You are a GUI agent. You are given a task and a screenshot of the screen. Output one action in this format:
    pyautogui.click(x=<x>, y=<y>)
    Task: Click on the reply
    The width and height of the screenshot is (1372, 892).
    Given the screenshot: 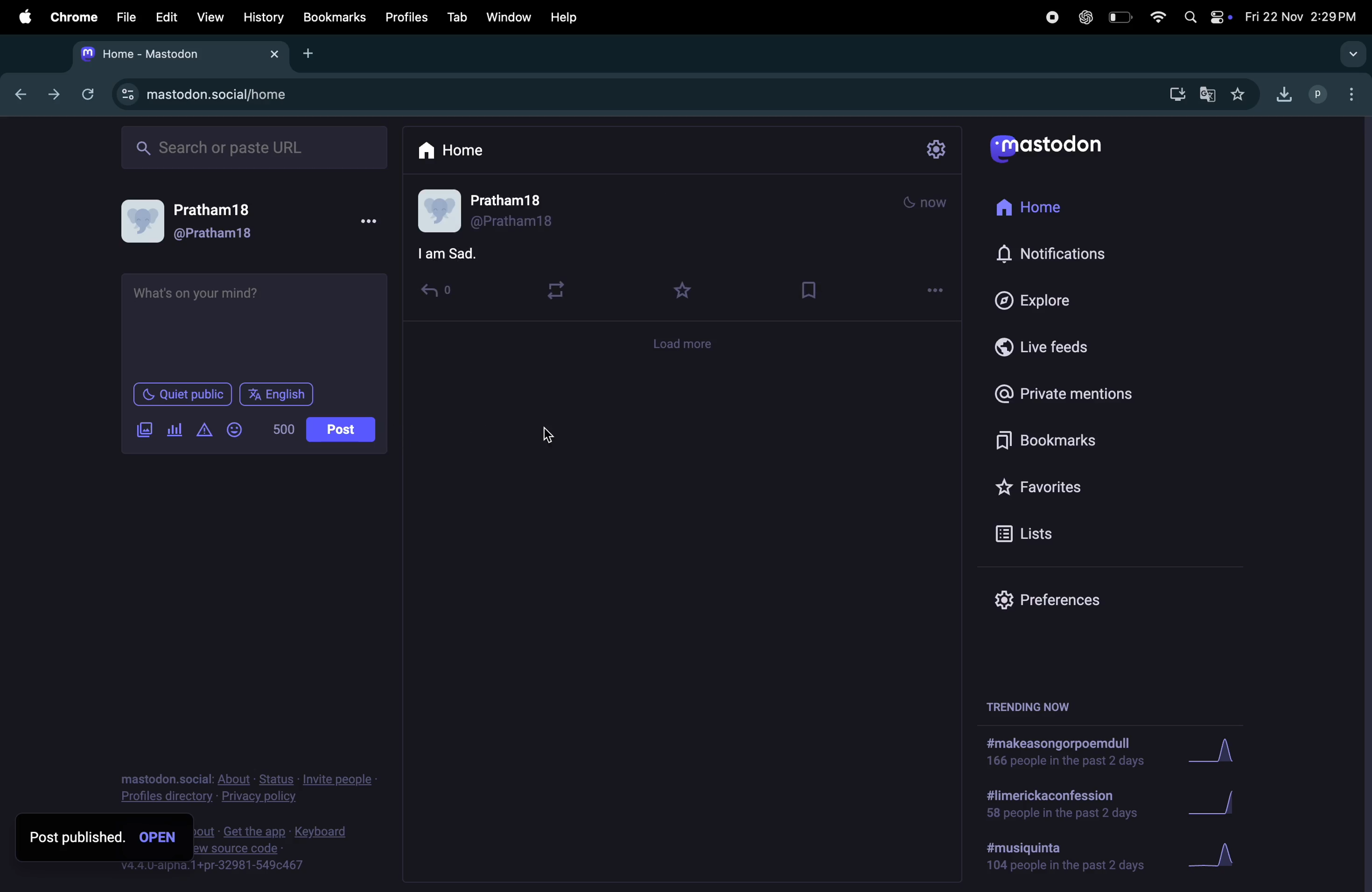 What is the action you would take?
    pyautogui.click(x=438, y=293)
    